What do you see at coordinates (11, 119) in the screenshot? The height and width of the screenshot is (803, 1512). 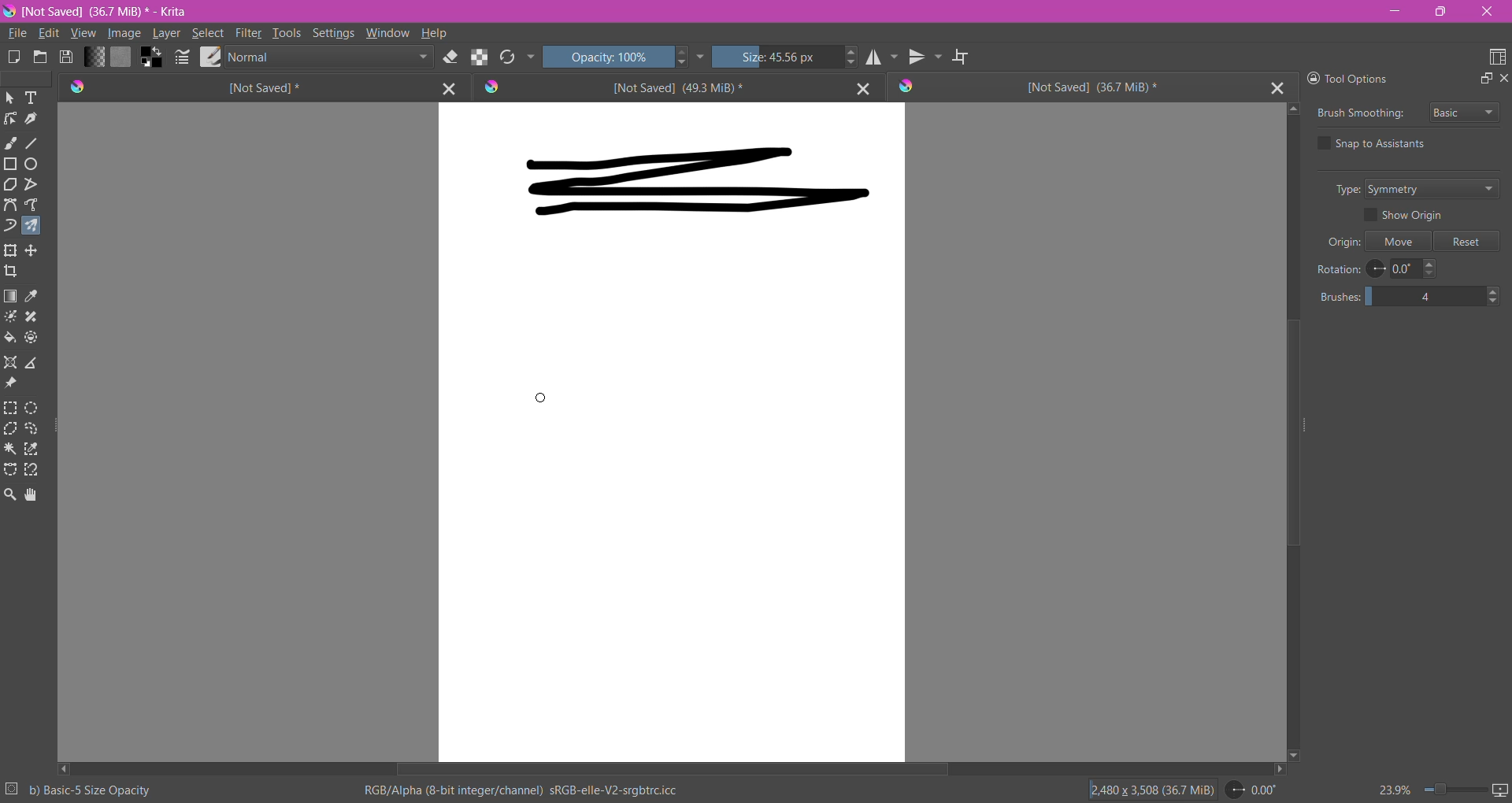 I see `Edit Shapes Tool` at bounding box center [11, 119].